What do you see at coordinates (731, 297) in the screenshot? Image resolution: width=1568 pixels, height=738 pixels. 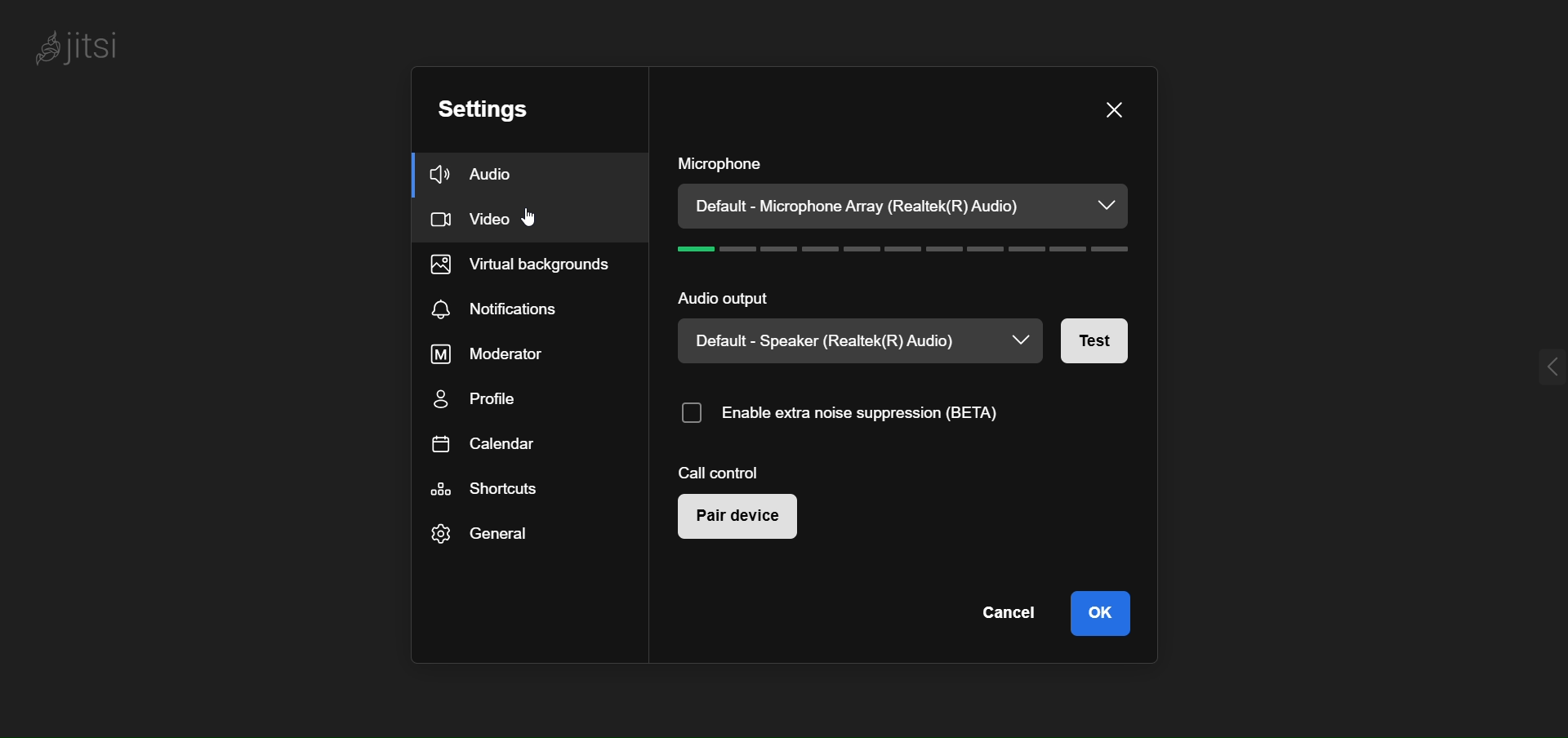 I see `audio output` at bounding box center [731, 297].